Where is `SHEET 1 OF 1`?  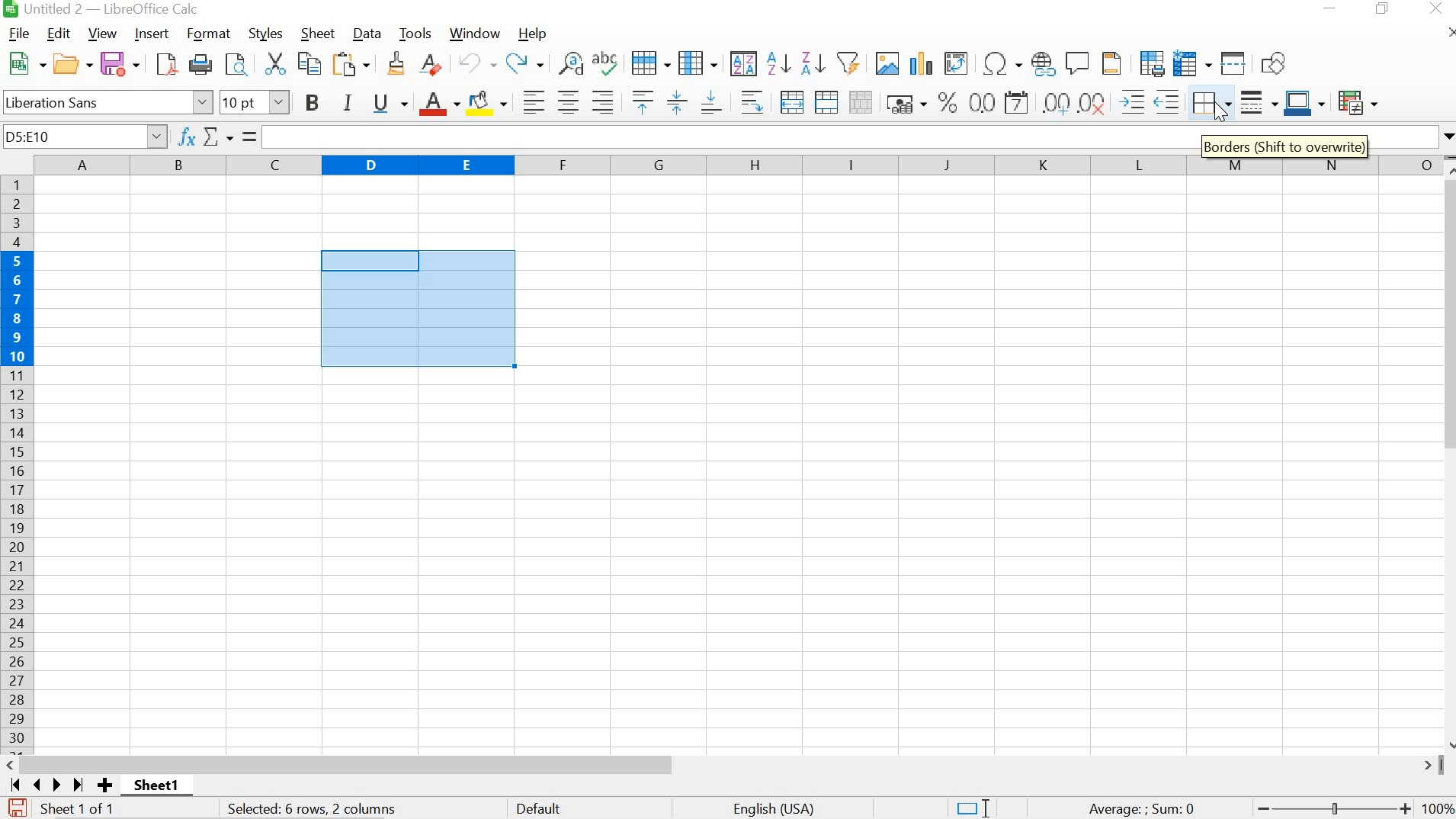
SHEET 1 OF 1 is located at coordinates (84, 810).